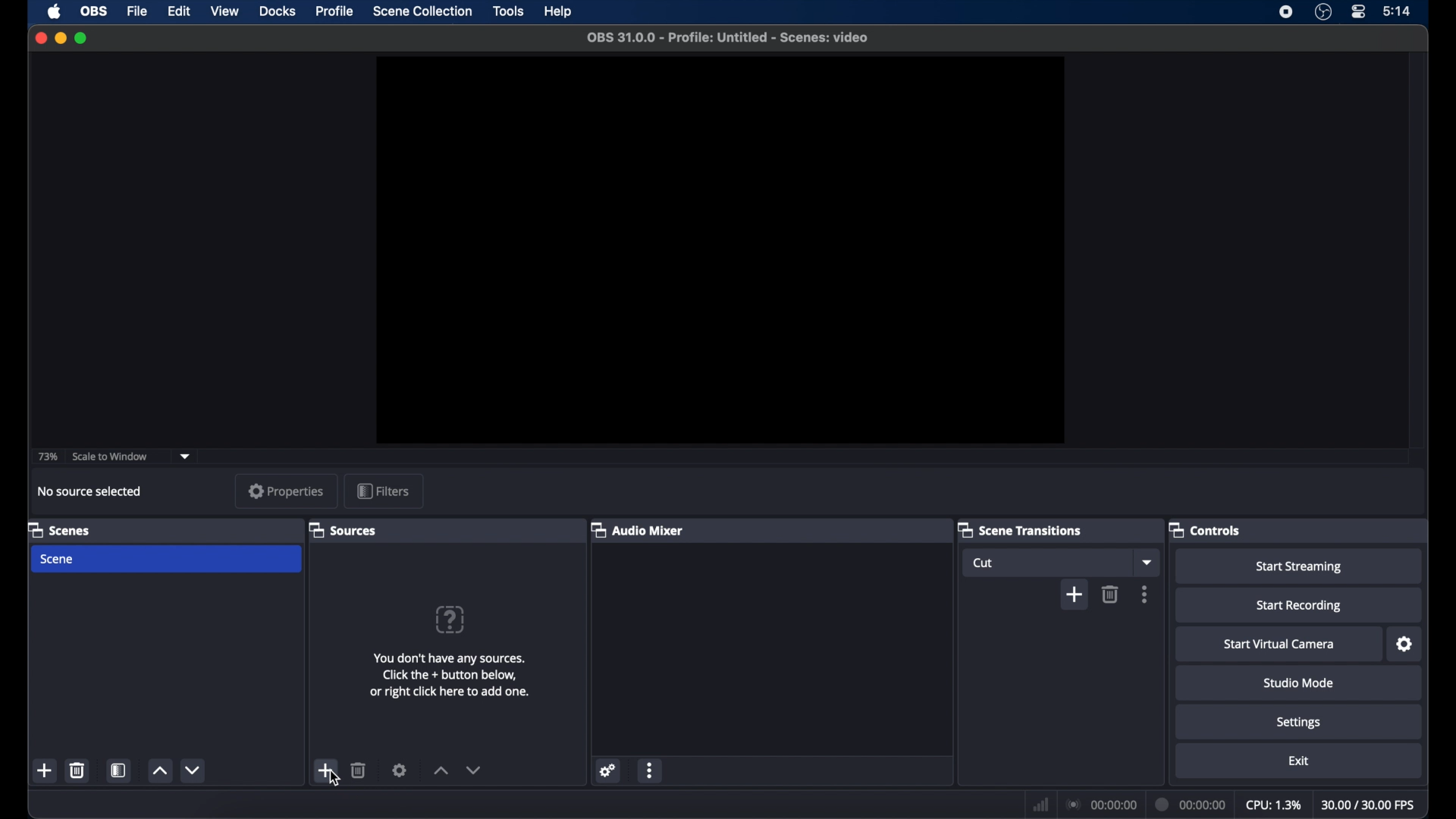 This screenshot has height=819, width=1456. What do you see at coordinates (118, 770) in the screenshot?
I see `scene filter` at bounding box center [118, 770].